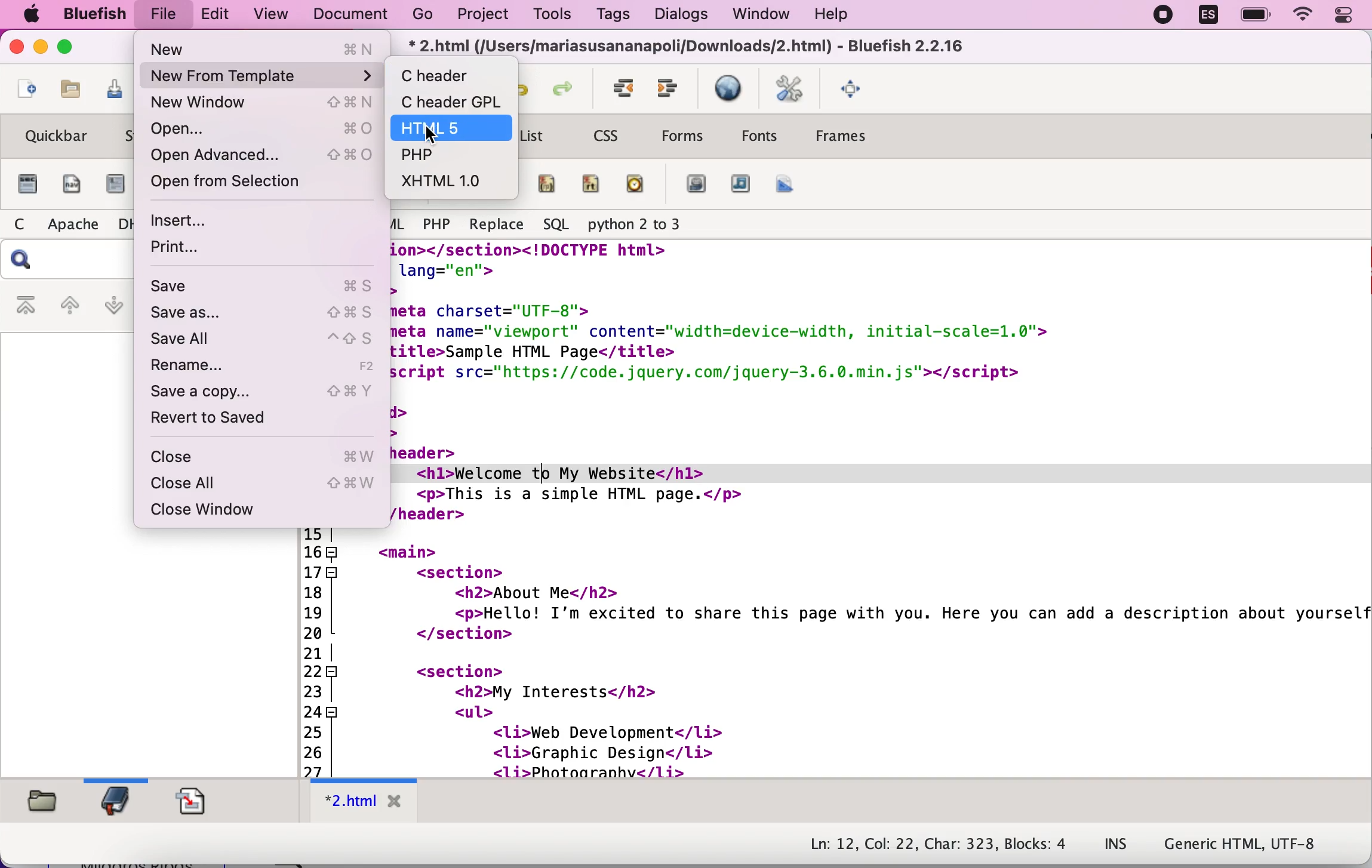  What do you see at coordinates (1205, 17) in the screenshot?
I see `ES` at bounding box center [1205, 17].